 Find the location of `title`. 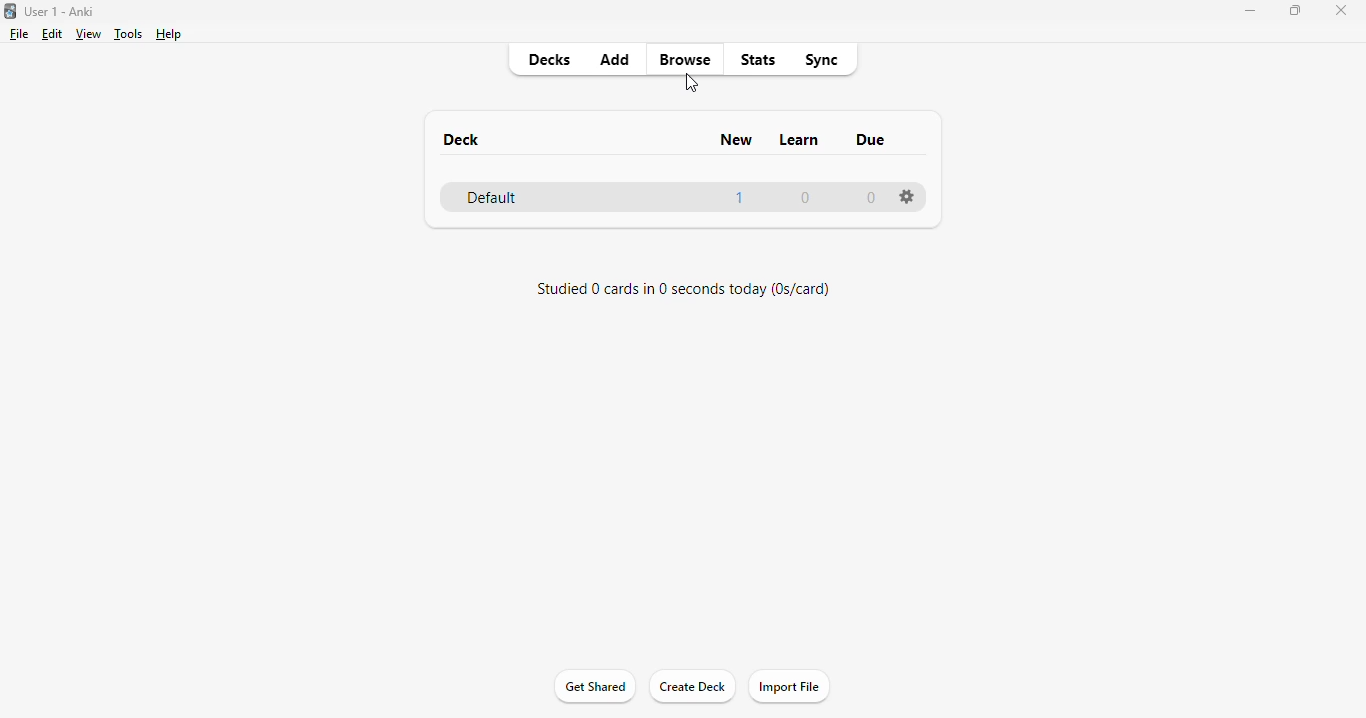

title is located at coordinates (60, 11).